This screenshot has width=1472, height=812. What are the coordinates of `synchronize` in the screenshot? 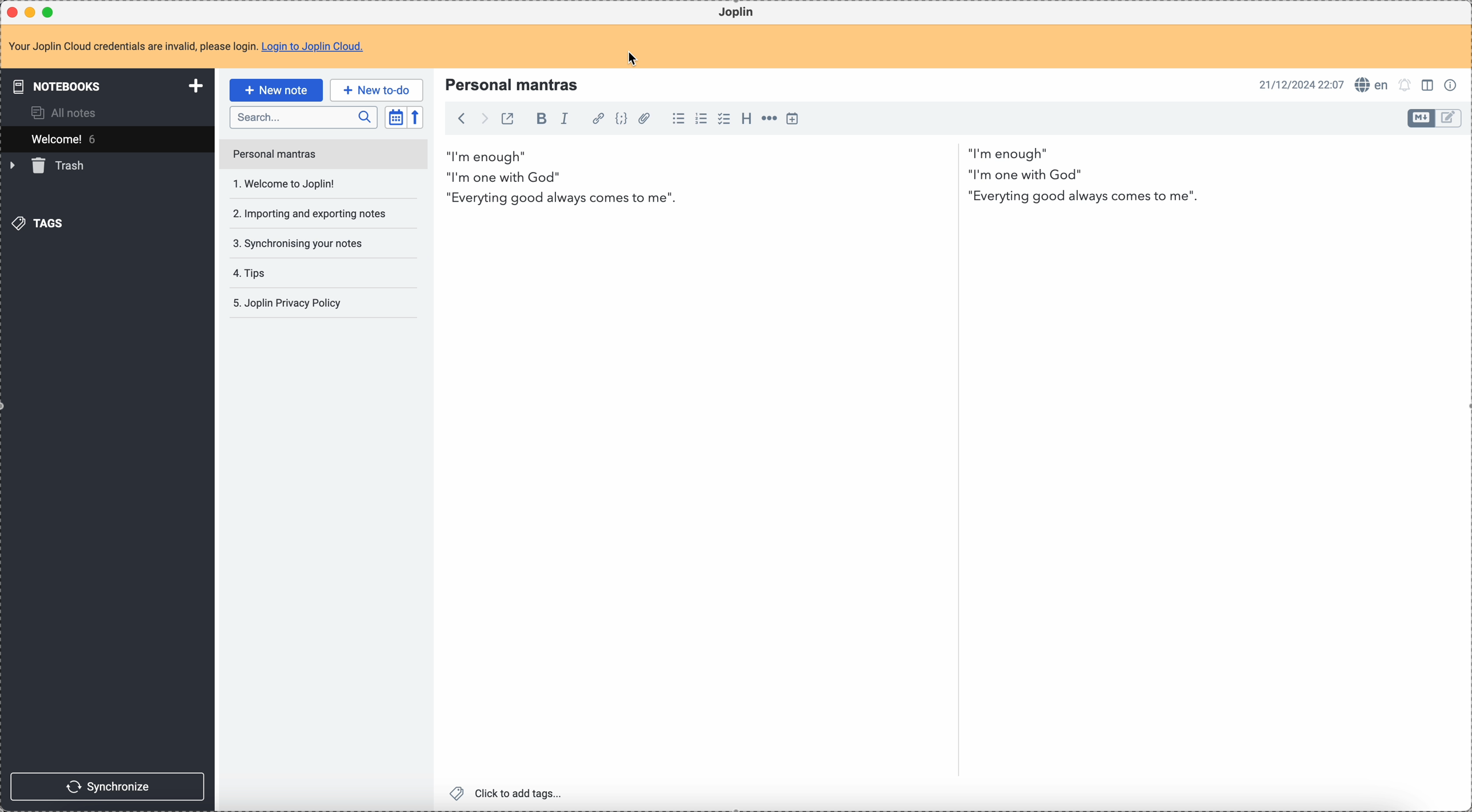 It's located at (109, 787).